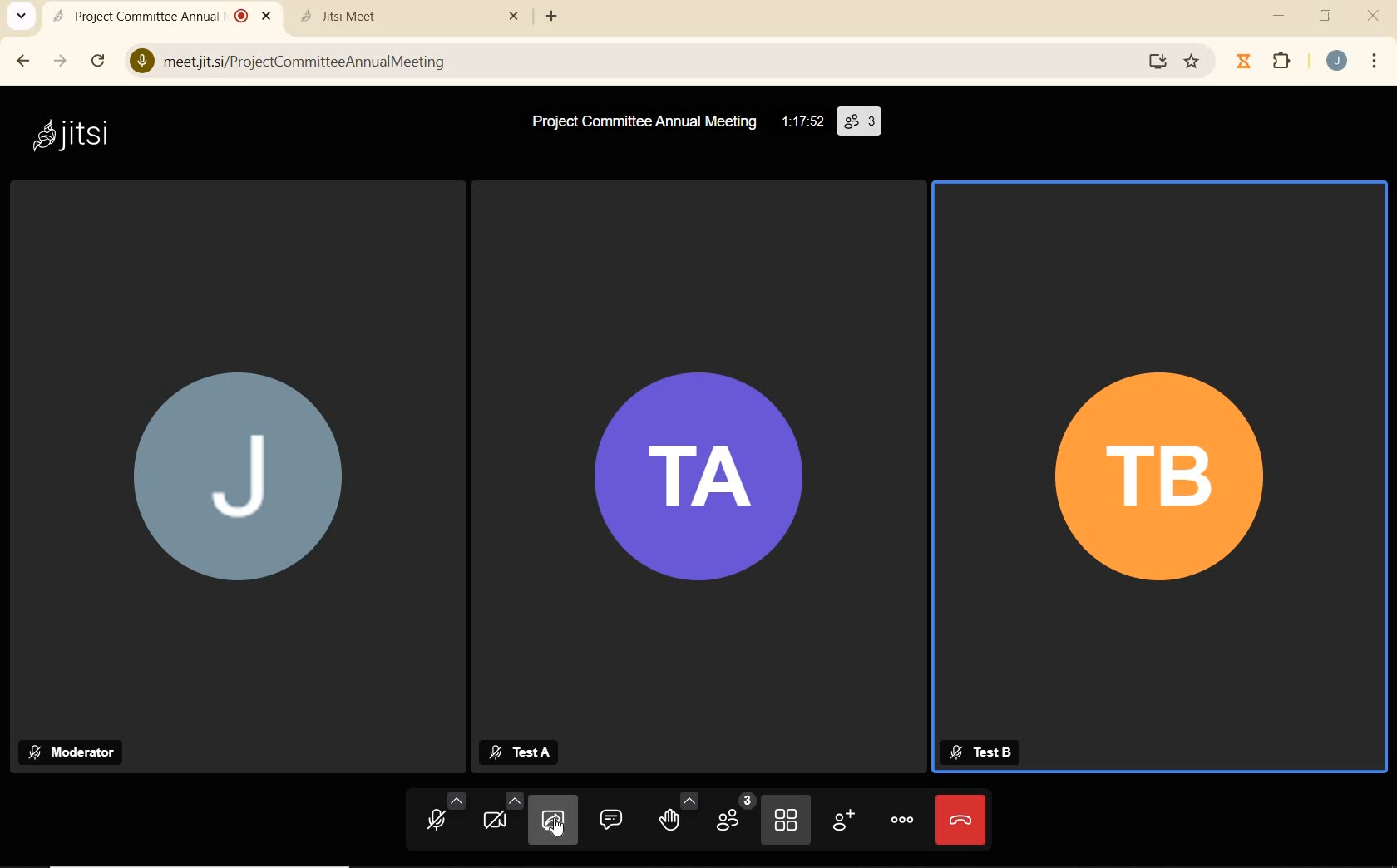  Describe the element at coordinates (1267, 62) in the screenshot. I see `EXTENSION` at that location.